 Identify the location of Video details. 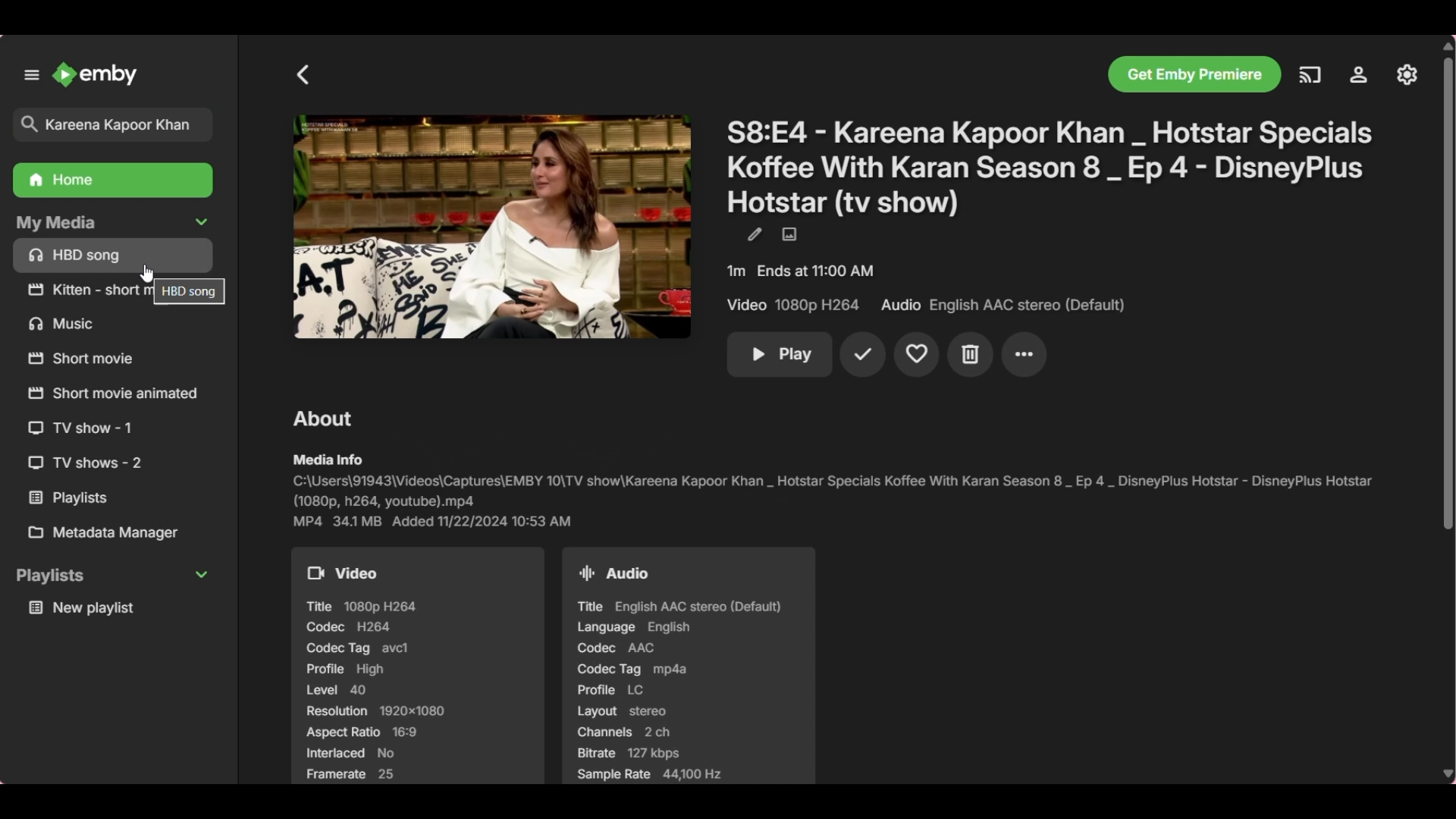
(417, 665).